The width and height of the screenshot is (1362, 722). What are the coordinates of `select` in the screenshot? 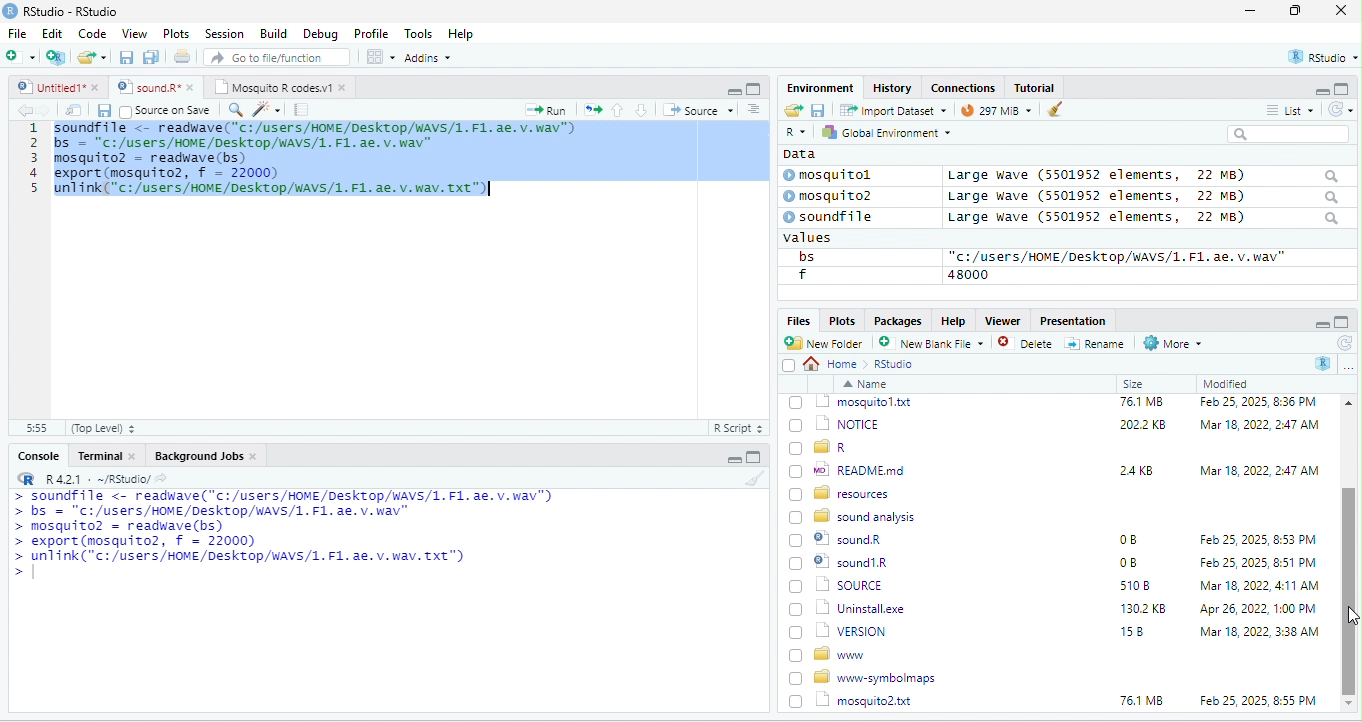 It's located at (791, 369).